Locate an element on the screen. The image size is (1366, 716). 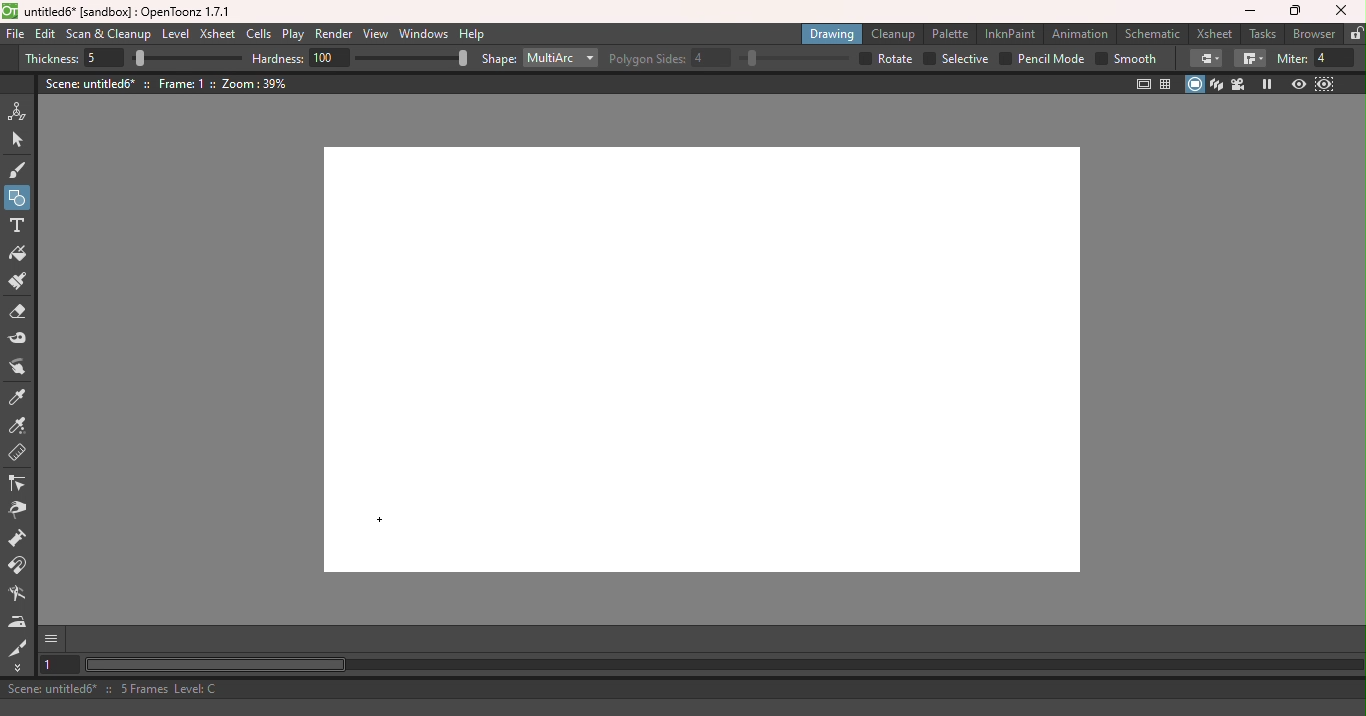
Windows is located at coordinates (424, 34).